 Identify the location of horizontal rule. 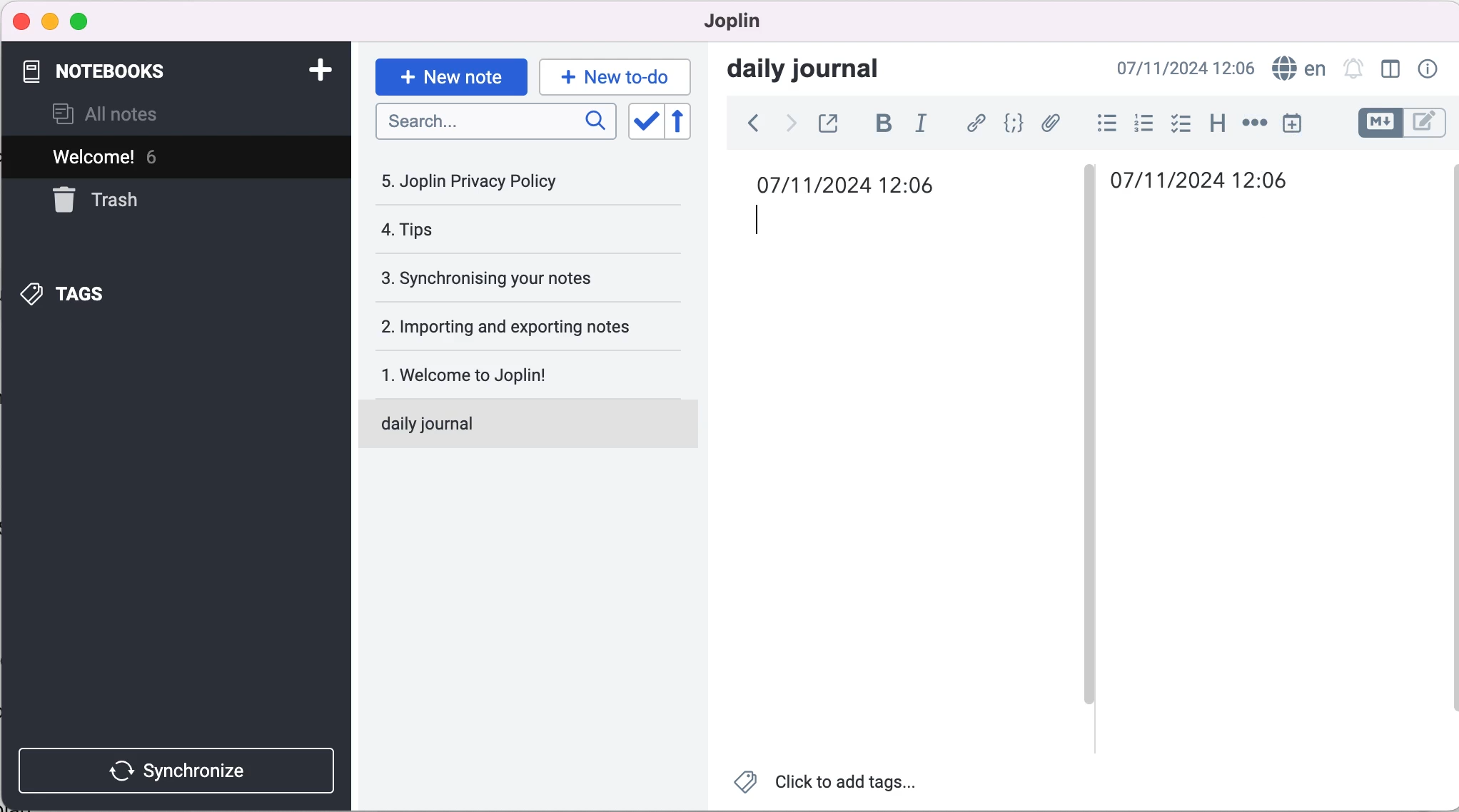
(1252, 123).